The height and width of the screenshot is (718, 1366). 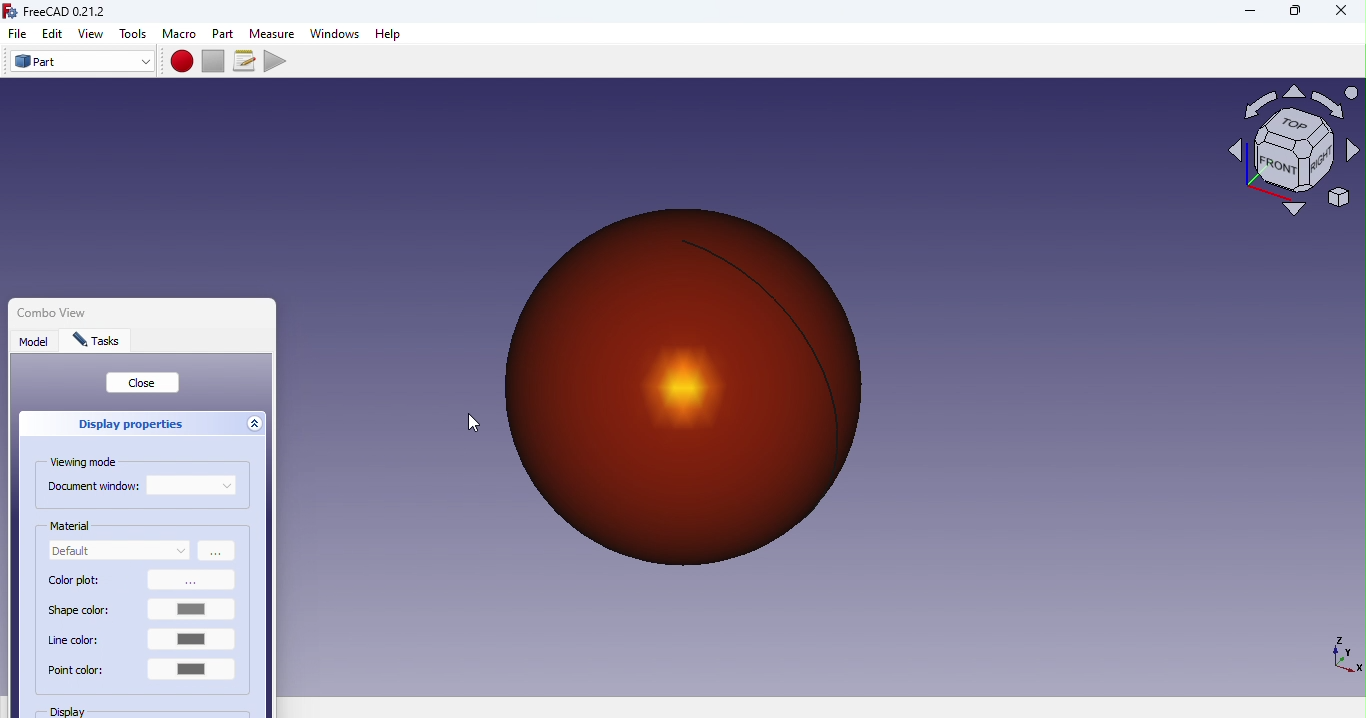 I want to click on Close, so click(x=1333, y=14).